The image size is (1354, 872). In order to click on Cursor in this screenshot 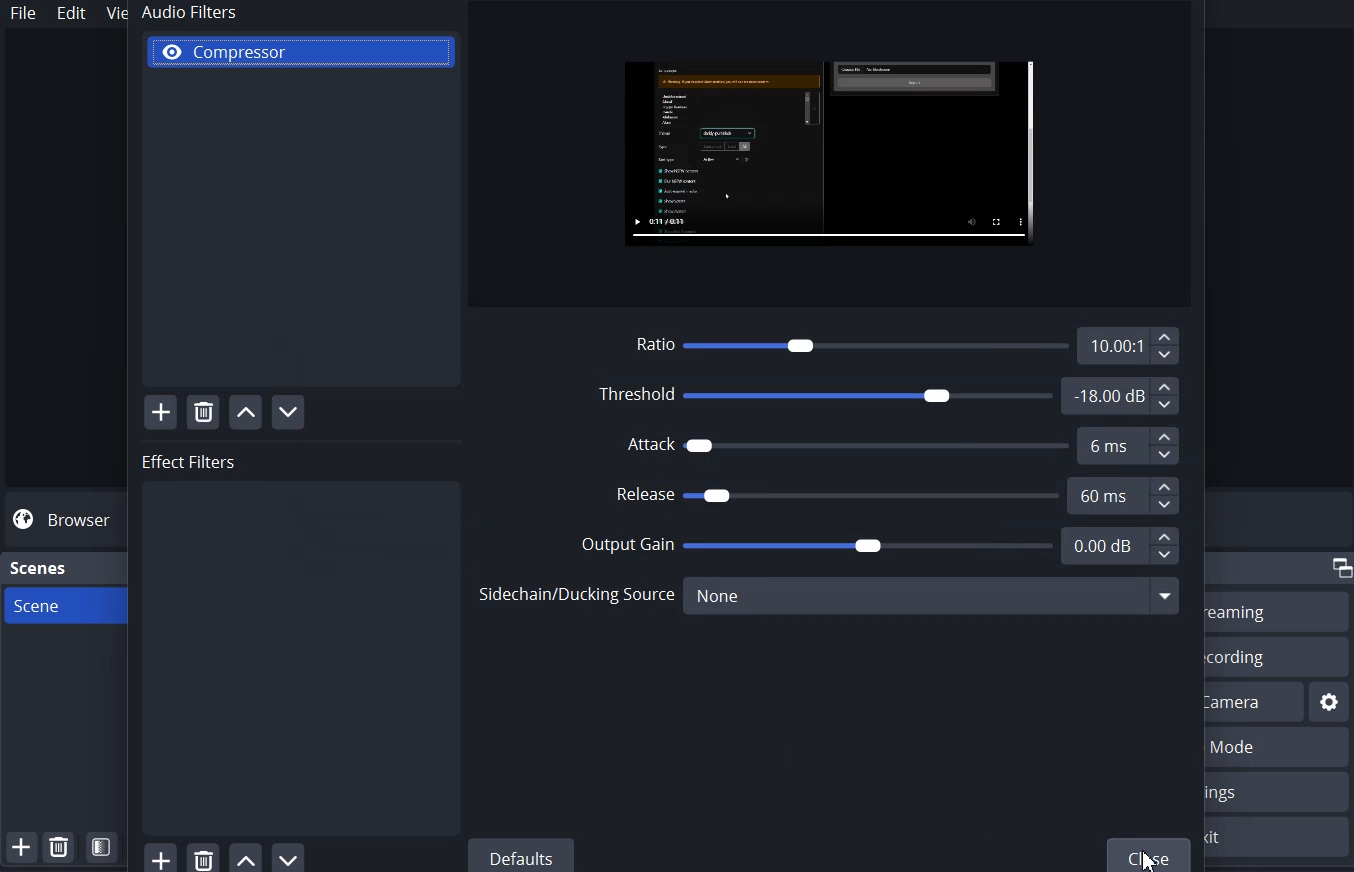, I will do `click(1147, 857)`.